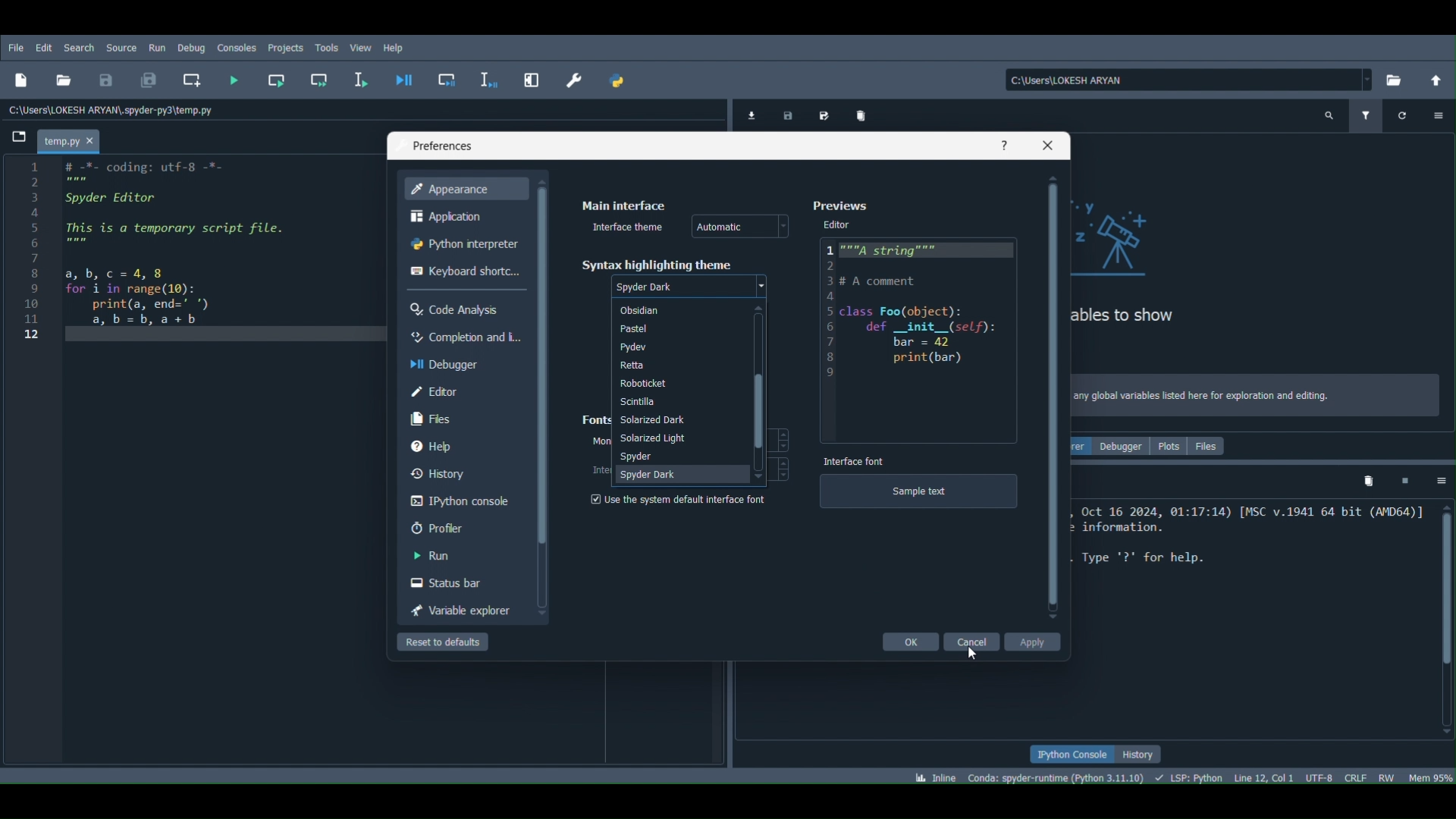 The image size is (1456, 819). Describe the element at coordinates (975, 656) in the screenshot. I see `Cursor` at that location.